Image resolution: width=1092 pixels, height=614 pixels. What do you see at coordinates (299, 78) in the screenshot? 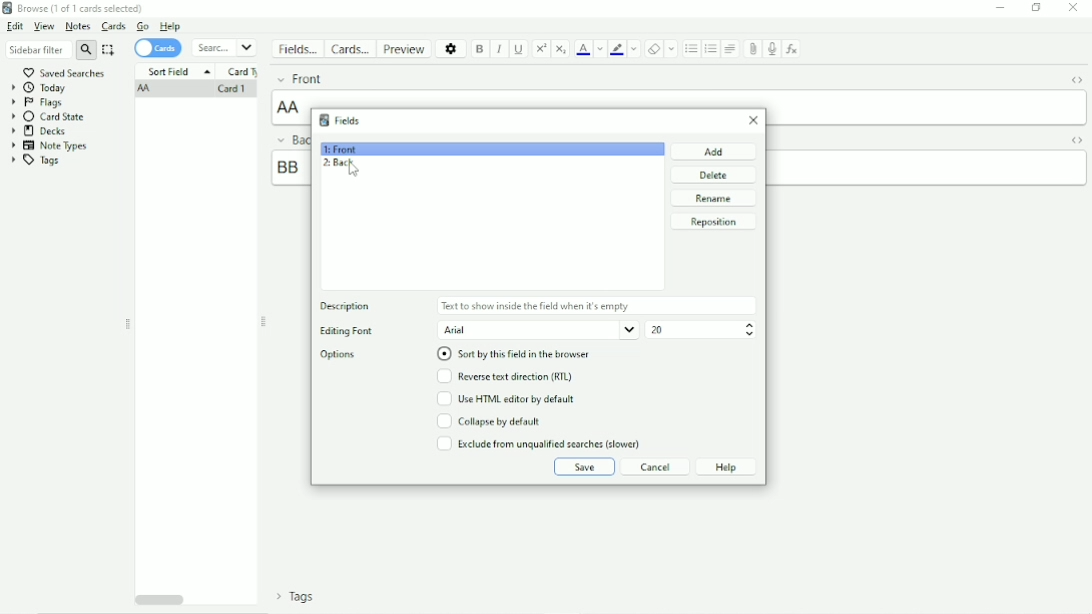
I see `Front` at bounding box center [299, 78].